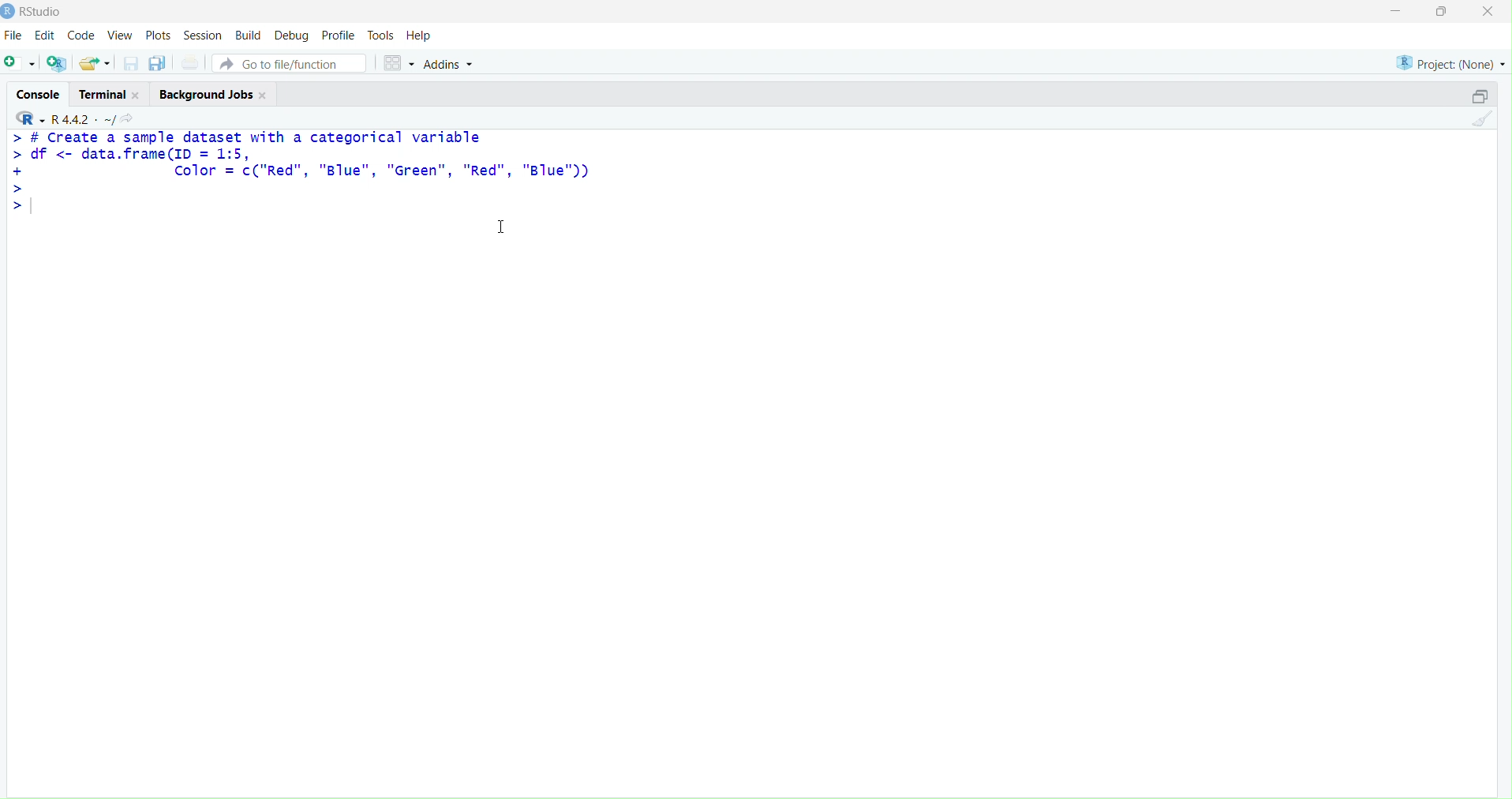  What do you see at coordinates (43, 12) in the screenshot?
I see `RStudio` at bounding box center [43, 12].